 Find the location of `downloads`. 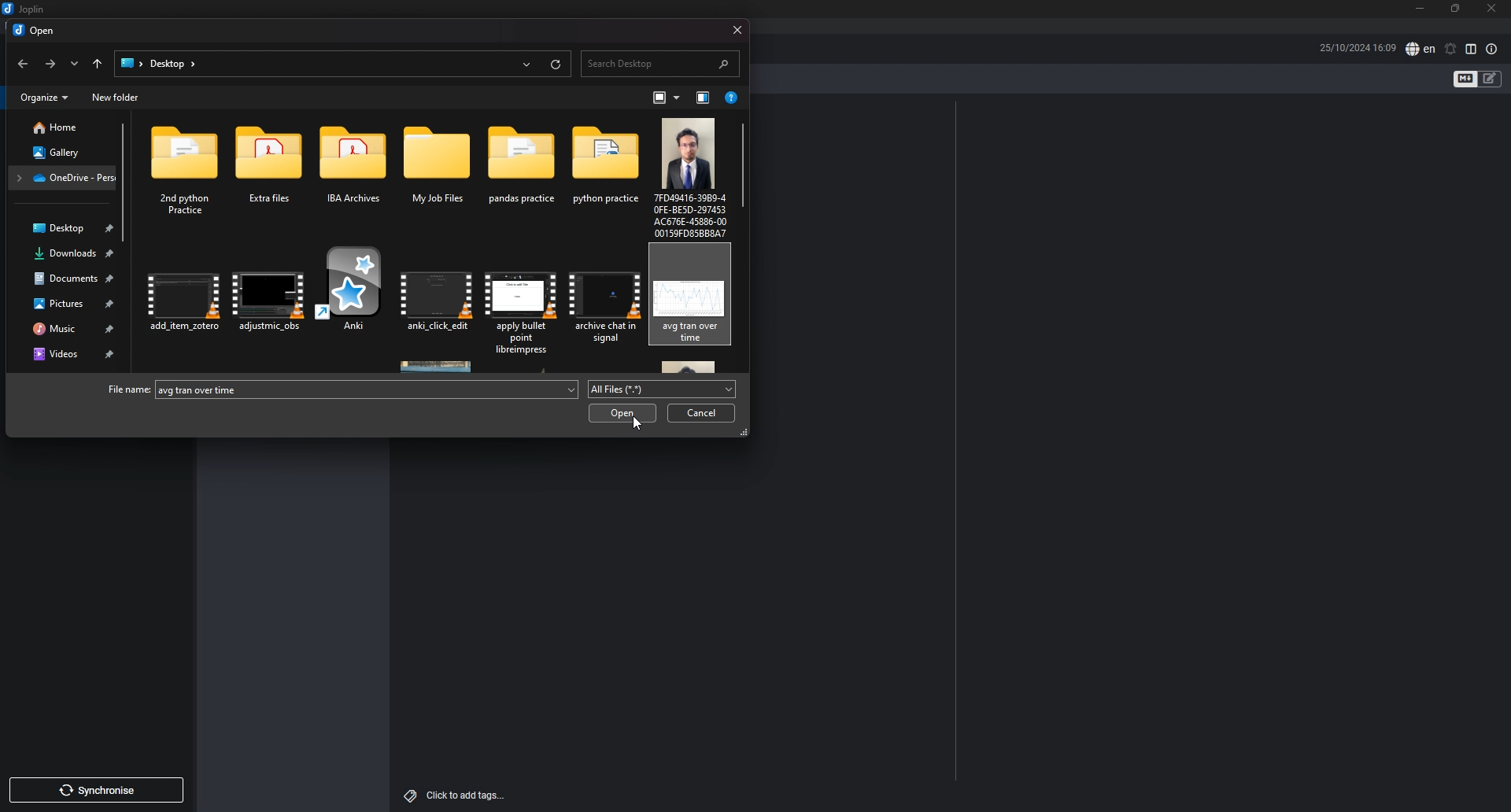

downloads is located at coordinates (65, 255).